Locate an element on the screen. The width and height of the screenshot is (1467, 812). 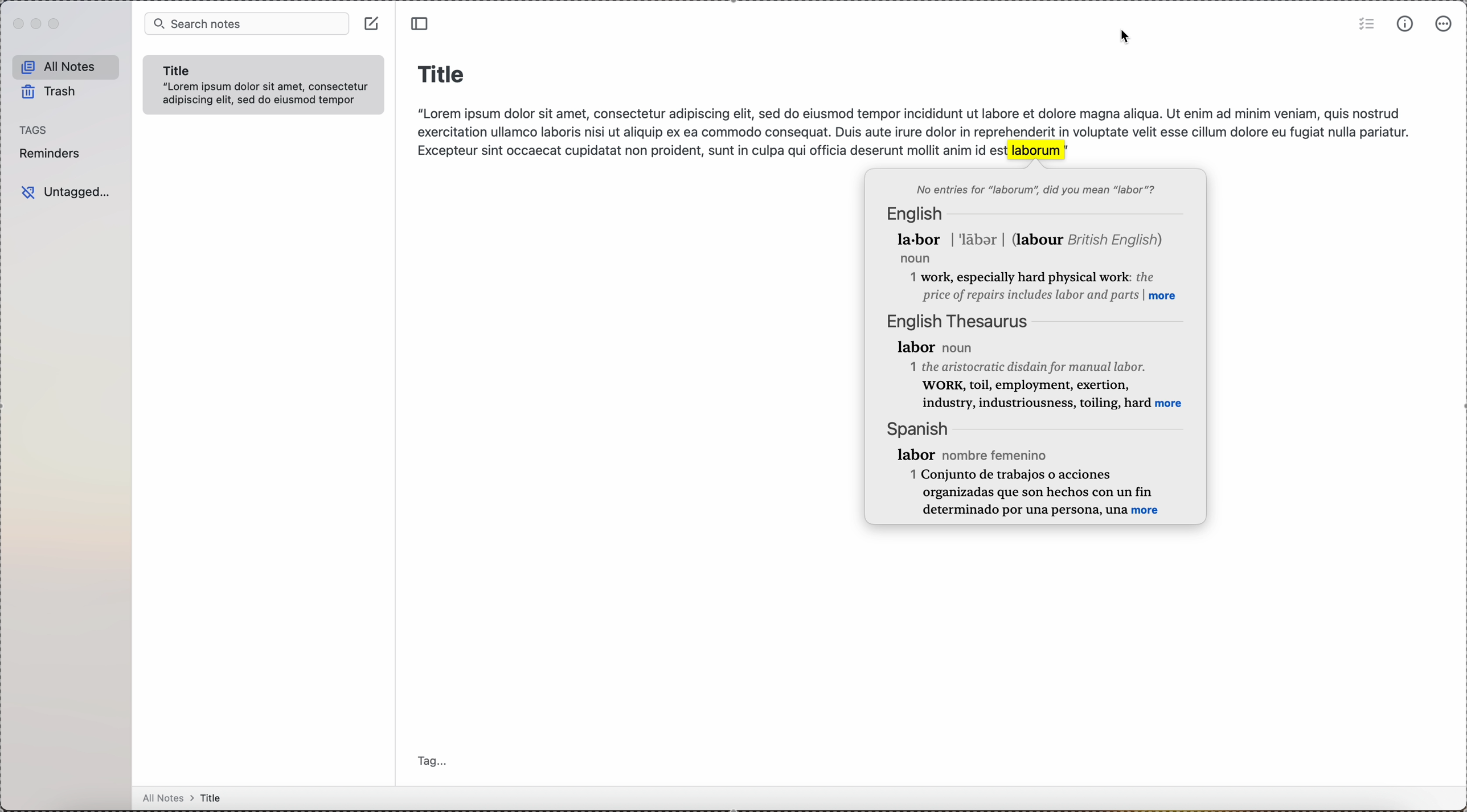
check list is located at coordinates (1362, 24).